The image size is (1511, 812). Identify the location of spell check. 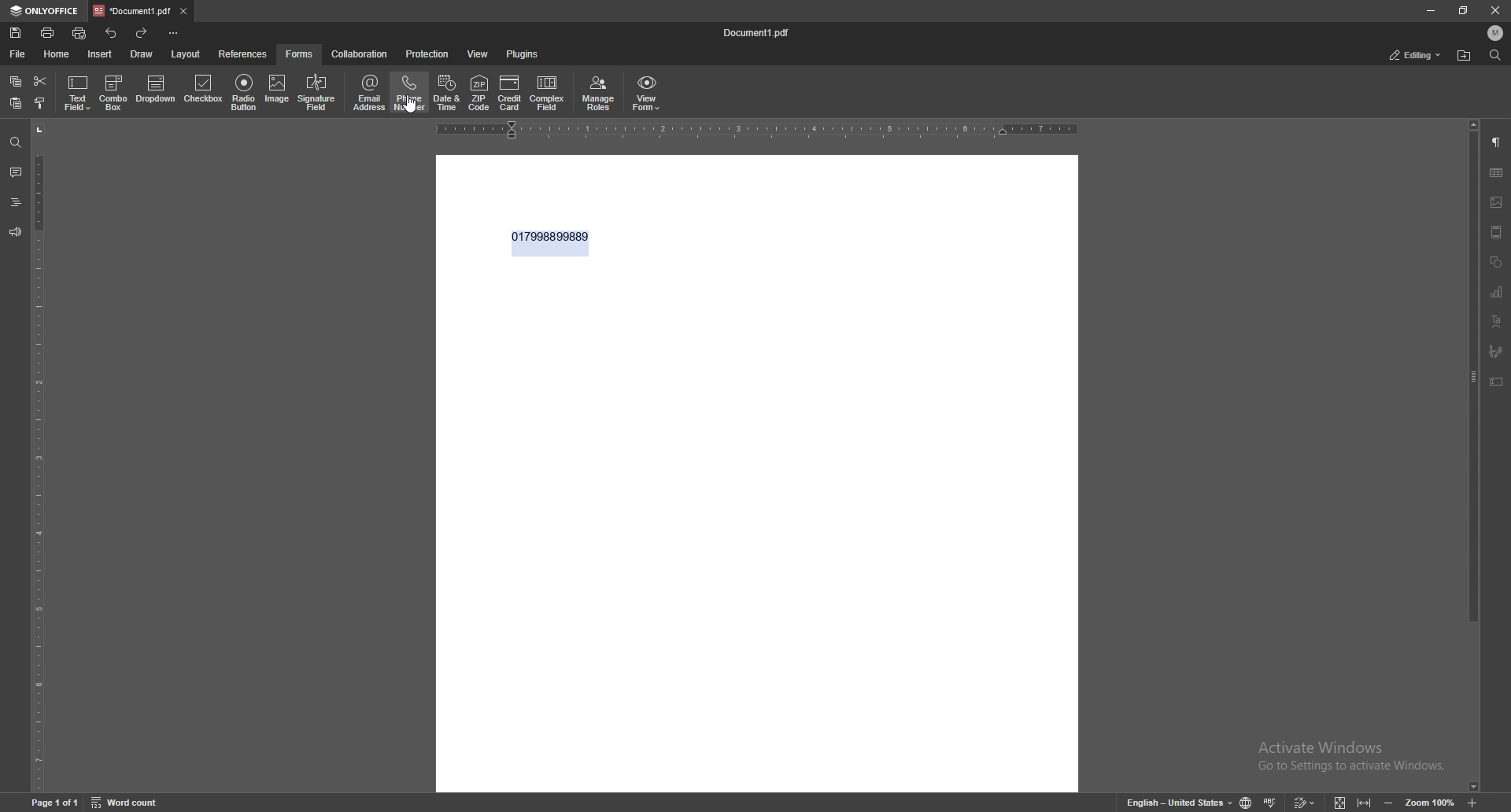
(1273, 802).